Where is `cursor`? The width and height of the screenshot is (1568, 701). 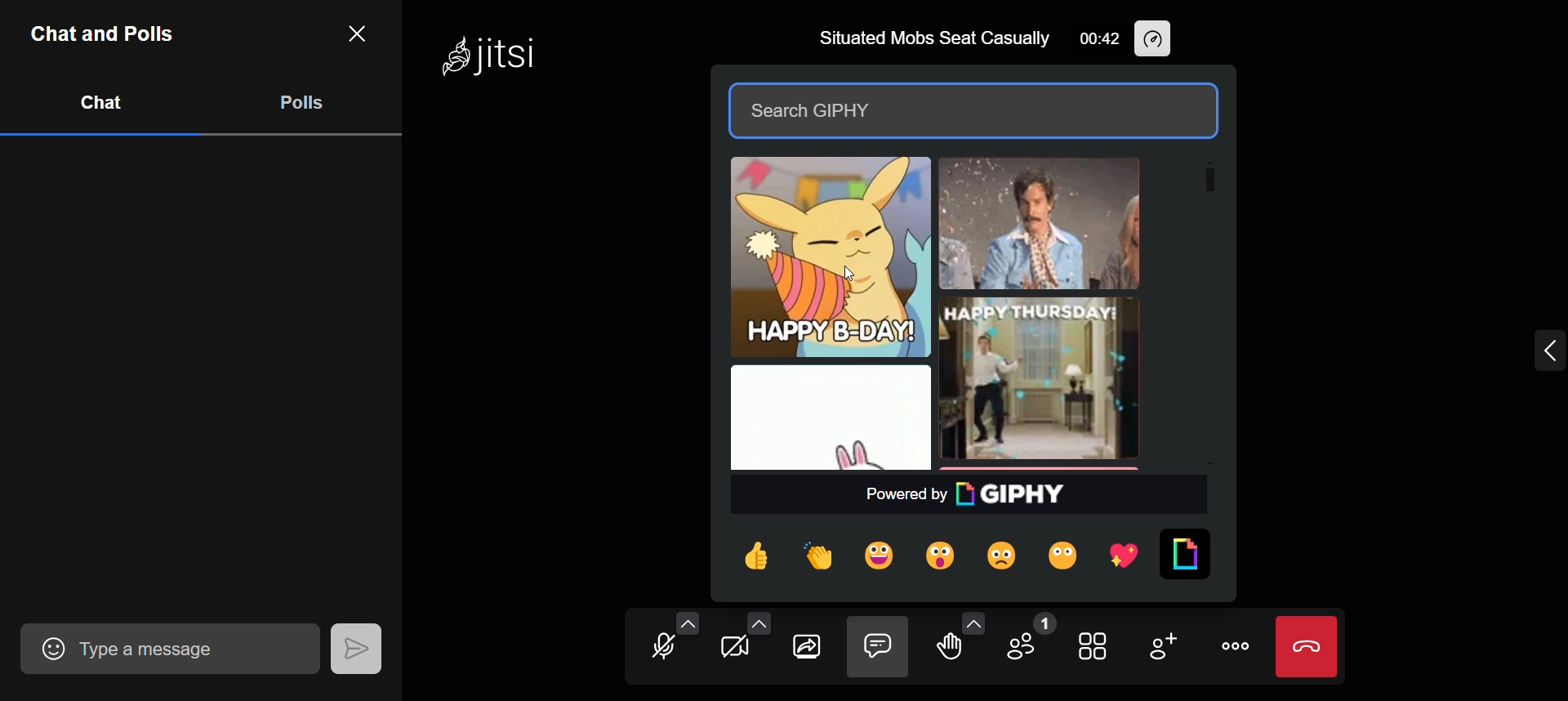
cursor is located at coordinates (844, 271).